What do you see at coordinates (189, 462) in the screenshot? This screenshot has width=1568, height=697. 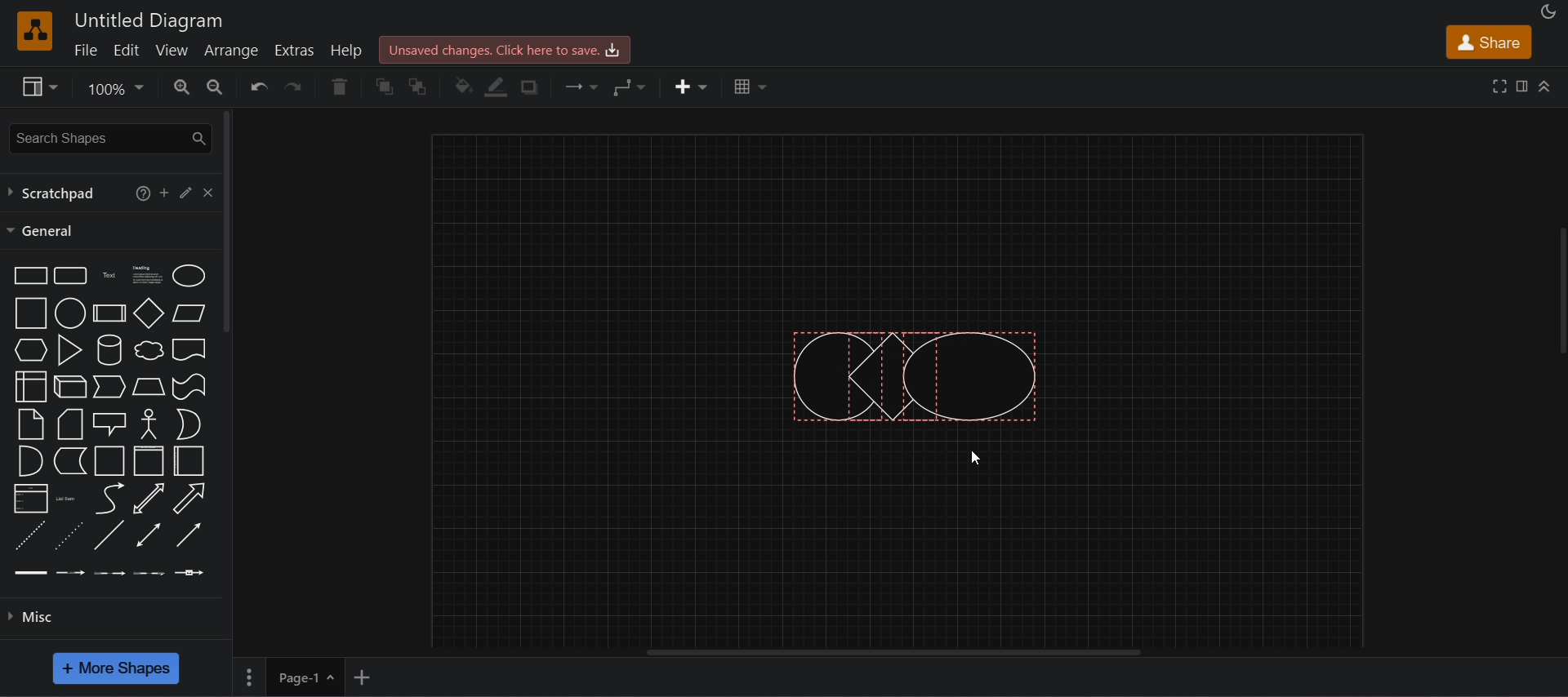 I see `Horizontal container` at bounding box center [189, 462].